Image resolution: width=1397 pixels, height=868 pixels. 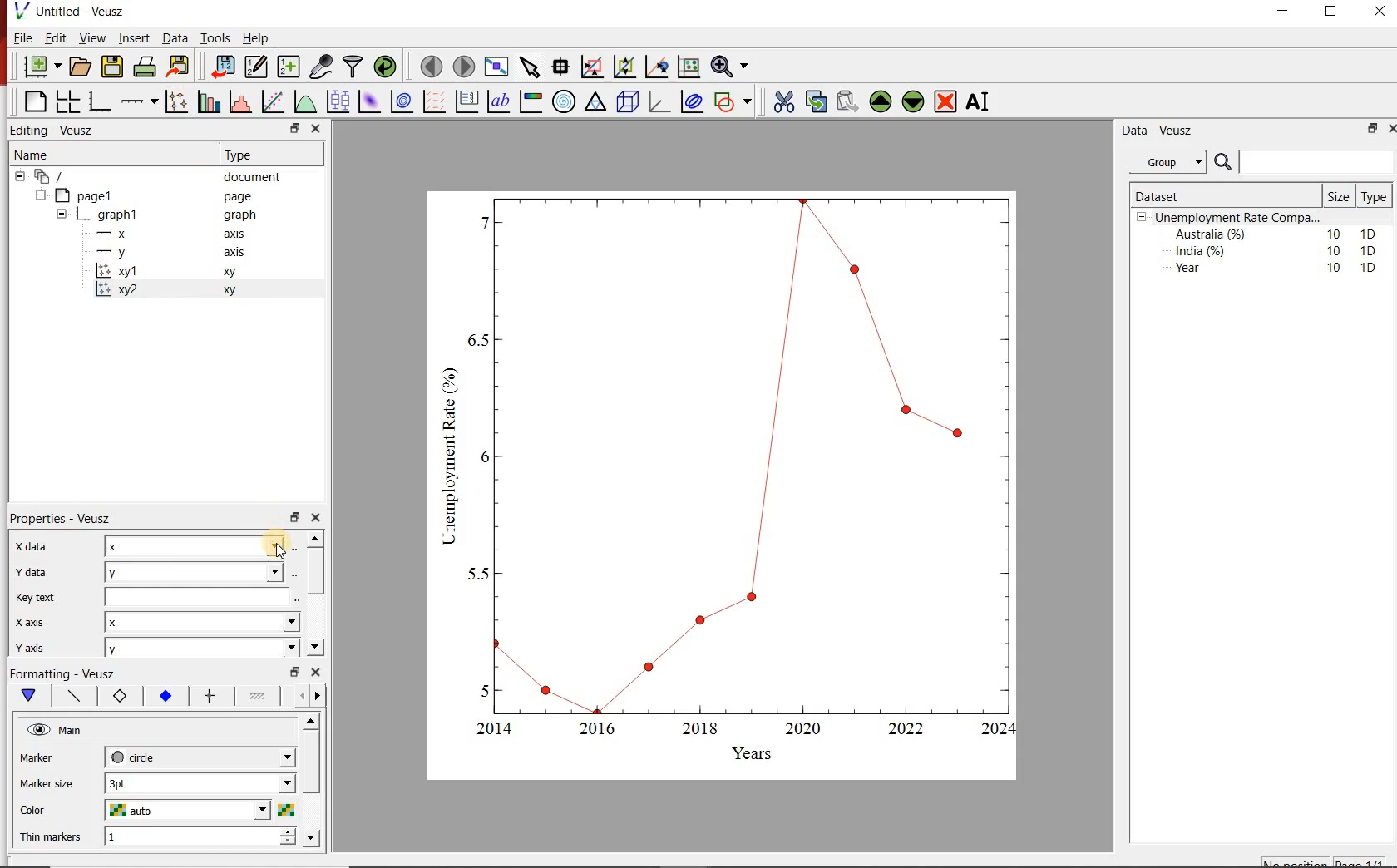 What do you see at coordinates (200, 622) in the screenshot?
I see `x` at bounding box center [200, 622].